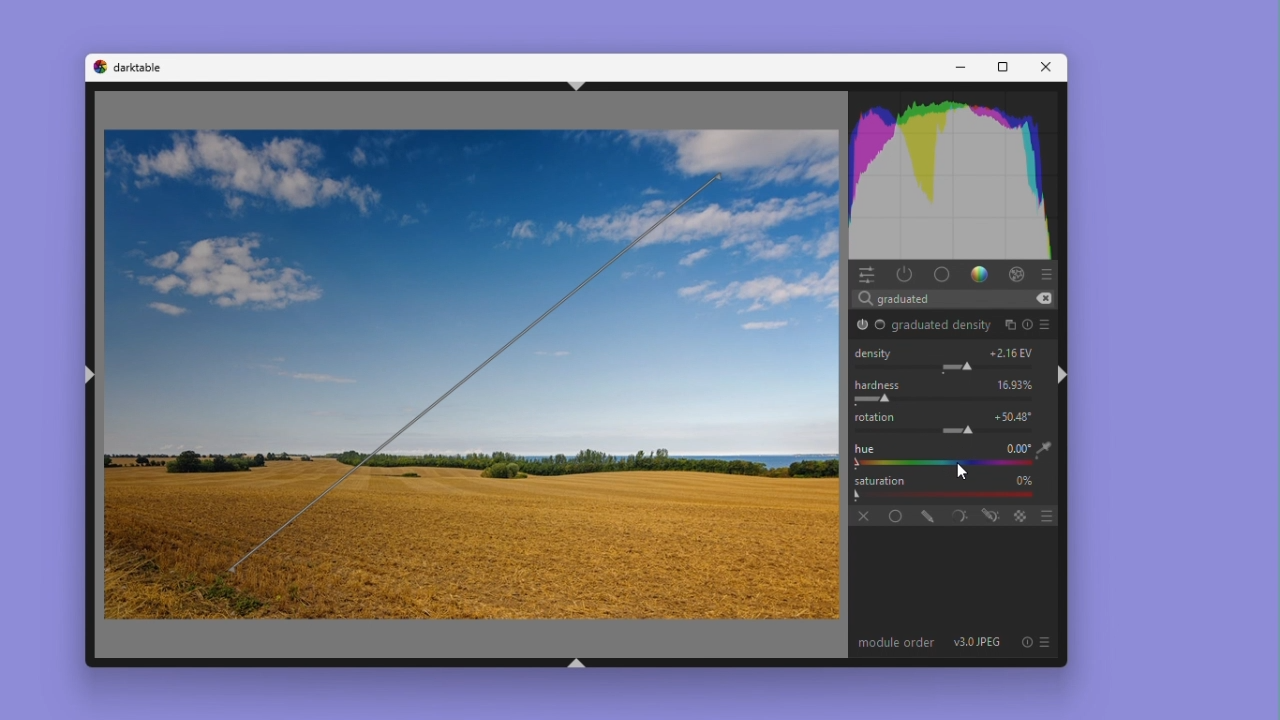 The image size is (1280, 720). Describe the element at coordinates (143, 67) in the screenshot. I see `darktable` at that location.